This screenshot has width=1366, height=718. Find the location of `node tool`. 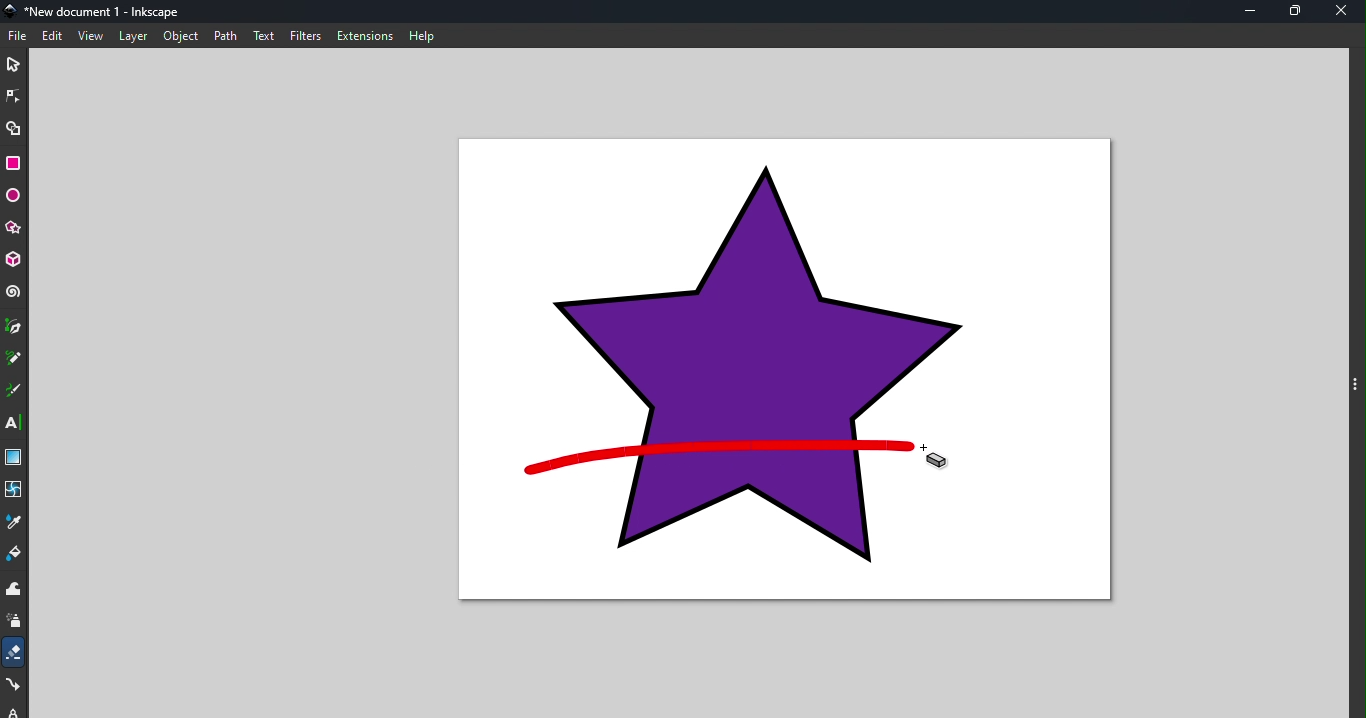

node tool is located at coordinates (15, 95).